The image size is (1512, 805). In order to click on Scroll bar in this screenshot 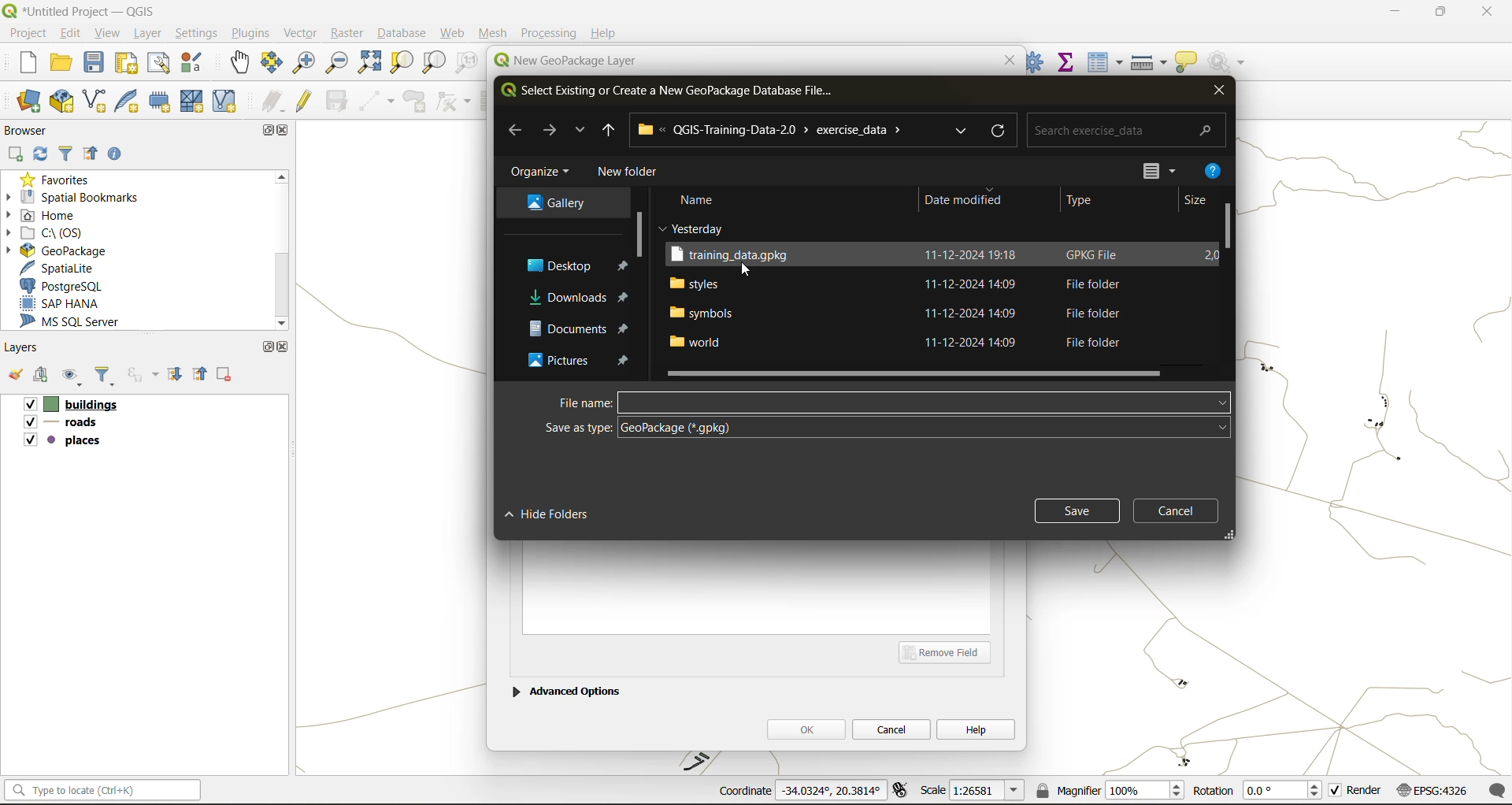, I will do `click(280, 250)`.